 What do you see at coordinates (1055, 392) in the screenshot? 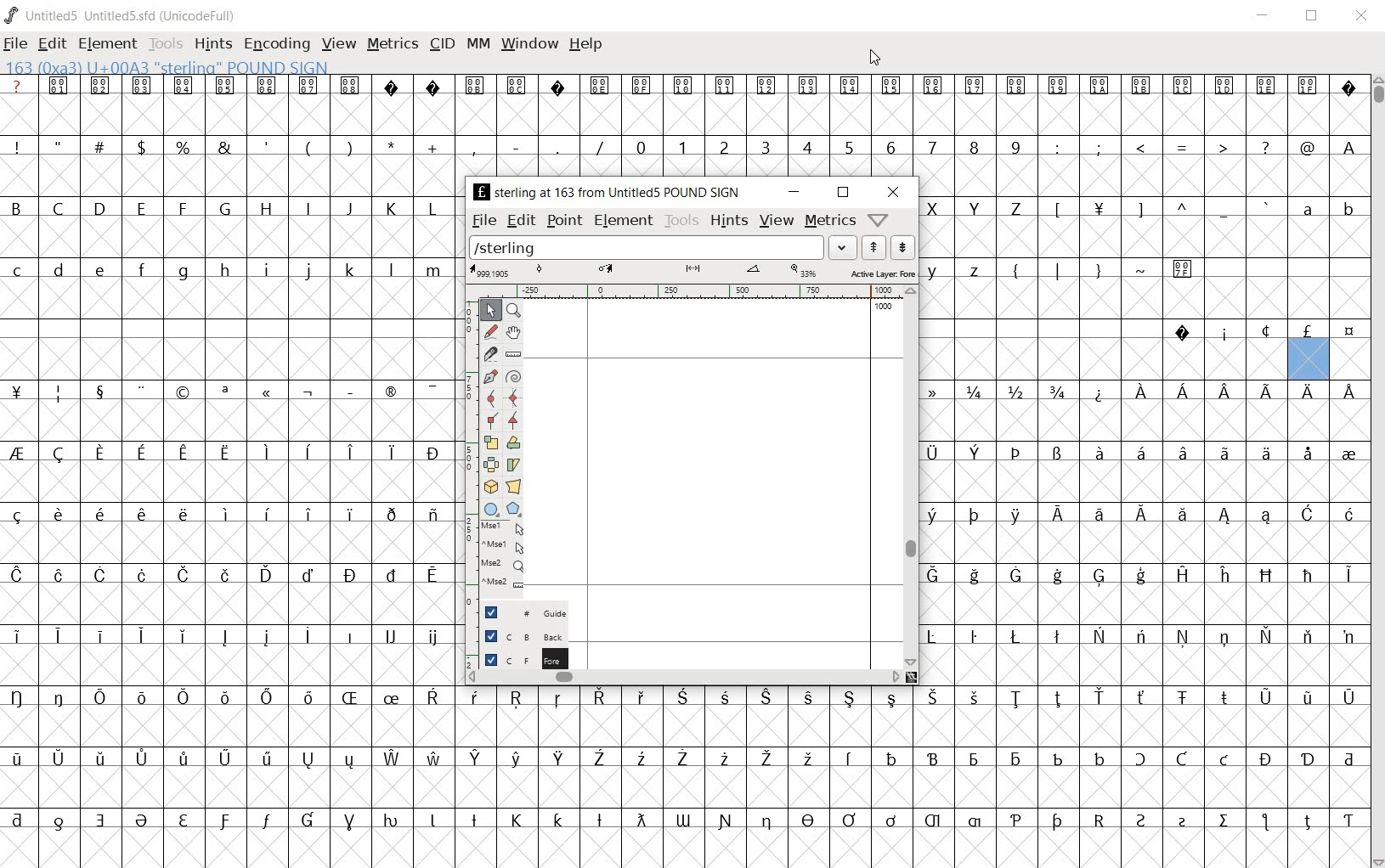
I see `3/4` at bounding box center [1055, 392].